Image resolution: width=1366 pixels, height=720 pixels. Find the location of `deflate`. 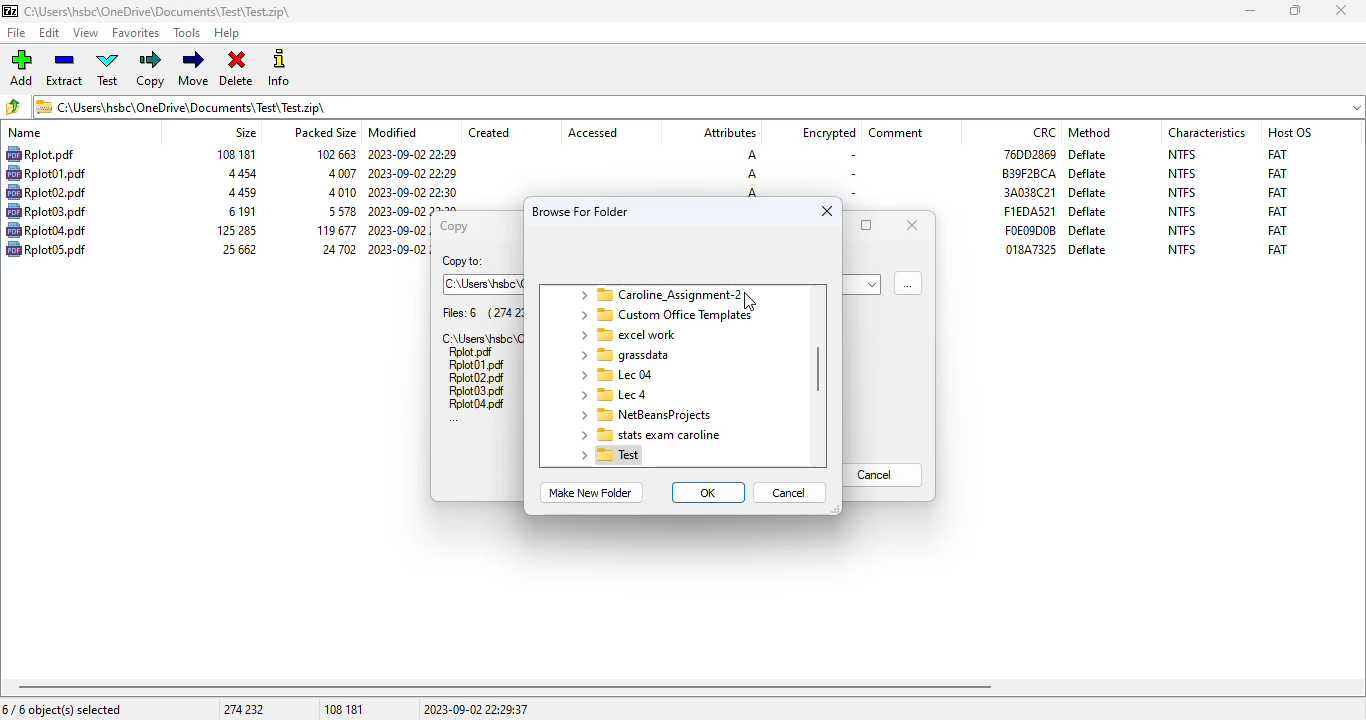

deflate is located at coordinates (1088, 192).